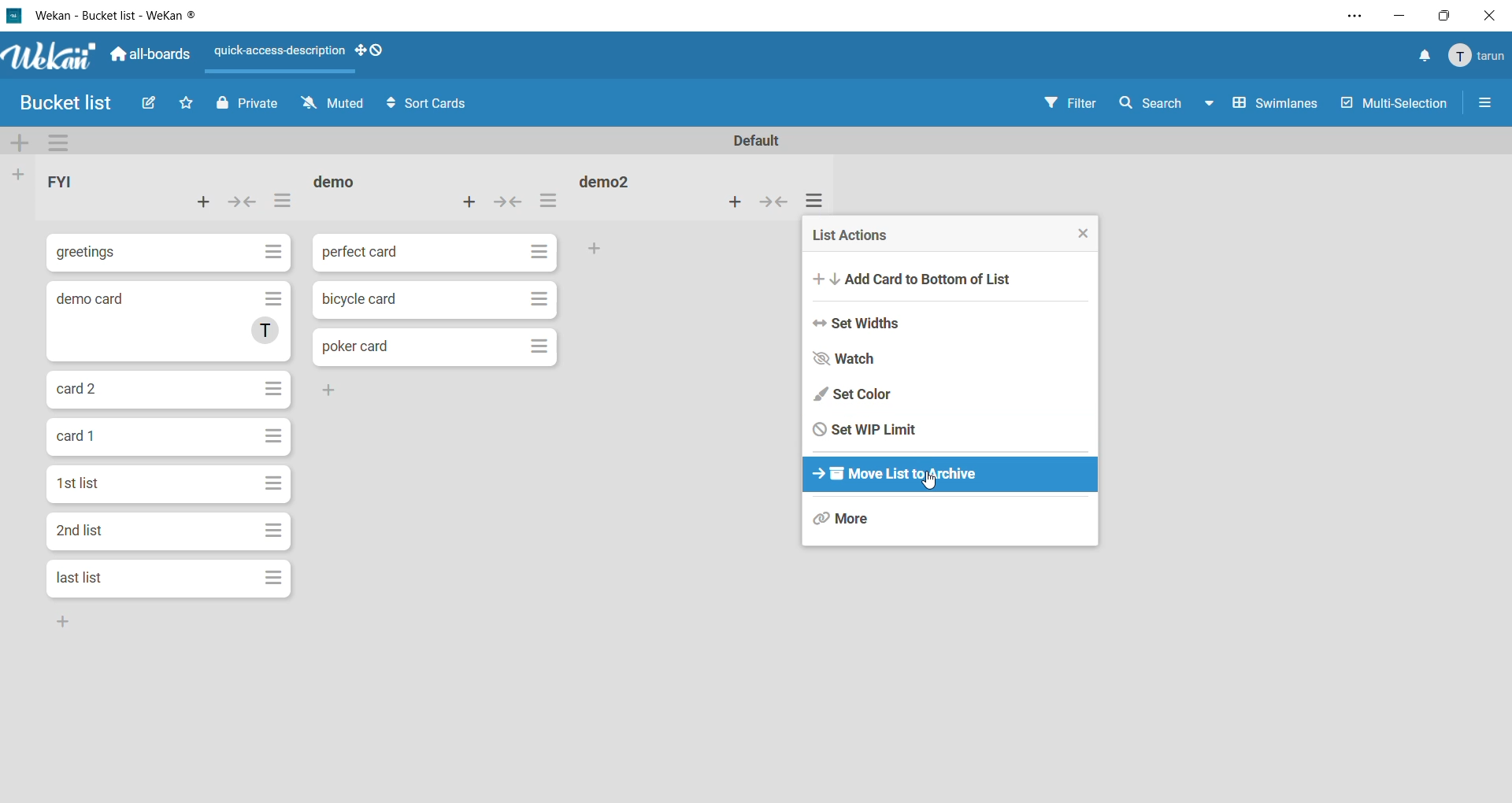 The image size is (1512, 803). I want to click on set color, so click(854, 394).